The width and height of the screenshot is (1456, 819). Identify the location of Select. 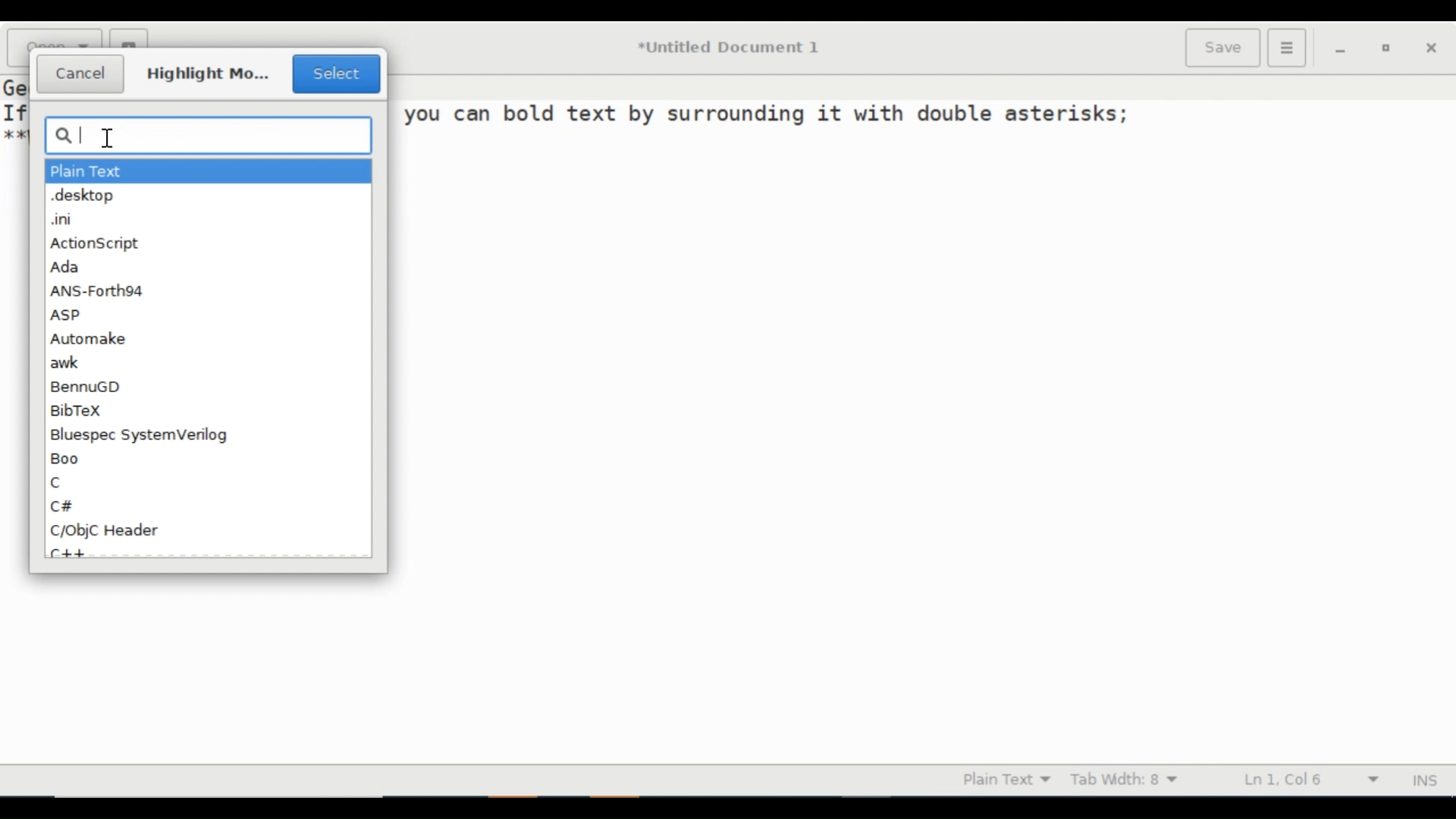
(336, 74).